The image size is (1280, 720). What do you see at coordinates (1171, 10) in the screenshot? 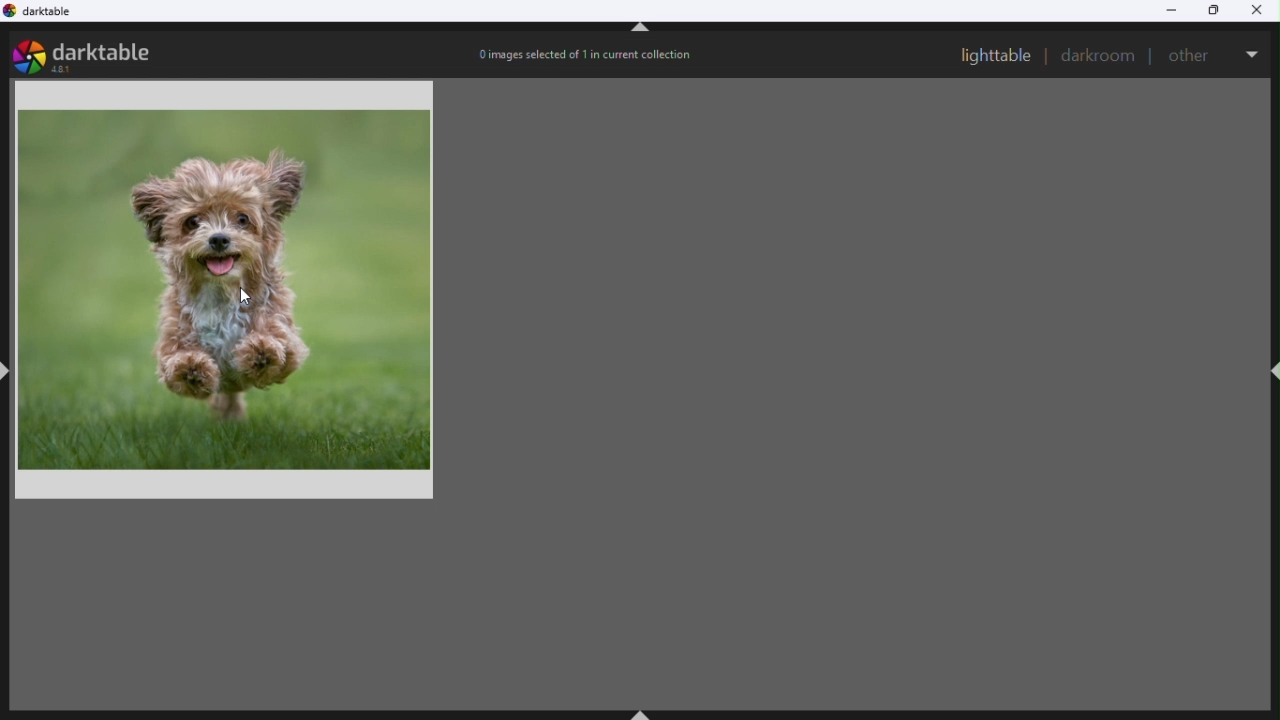
I see `Minimise` at bounding box center [1171, 10].